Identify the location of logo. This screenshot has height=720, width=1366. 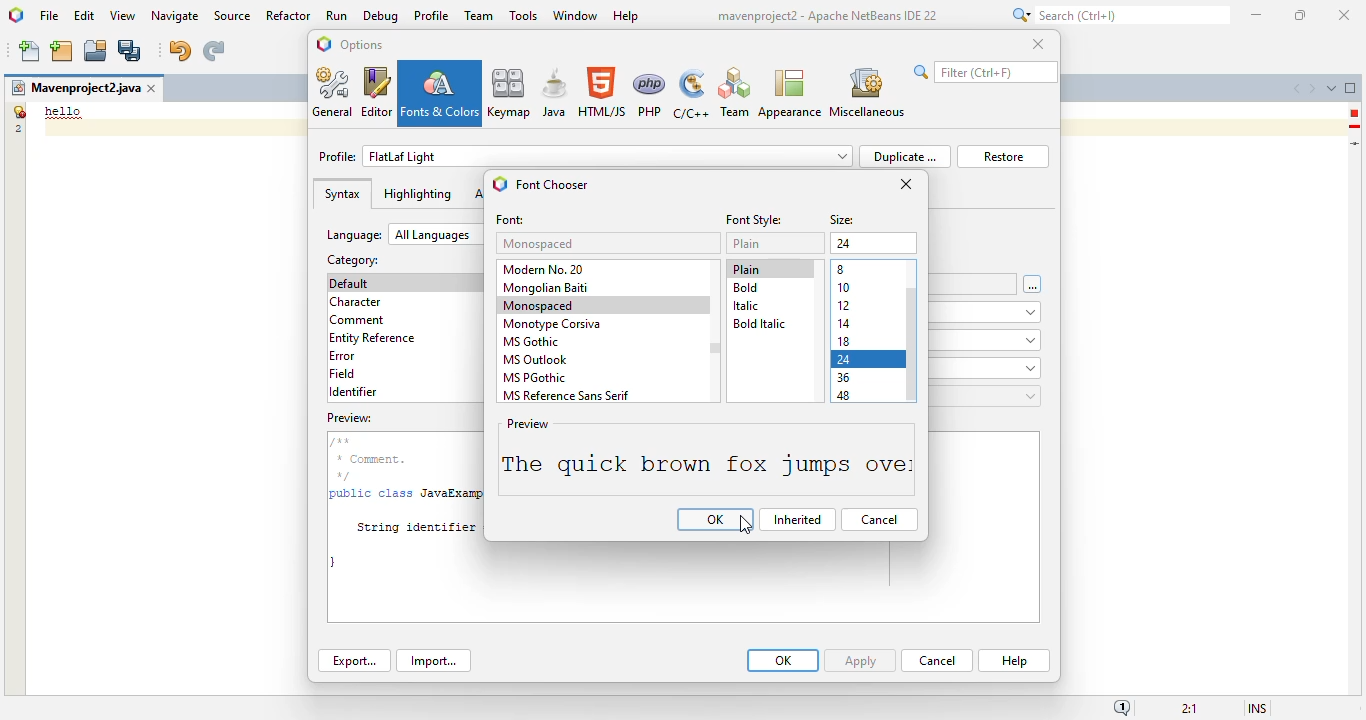
(324, 44).